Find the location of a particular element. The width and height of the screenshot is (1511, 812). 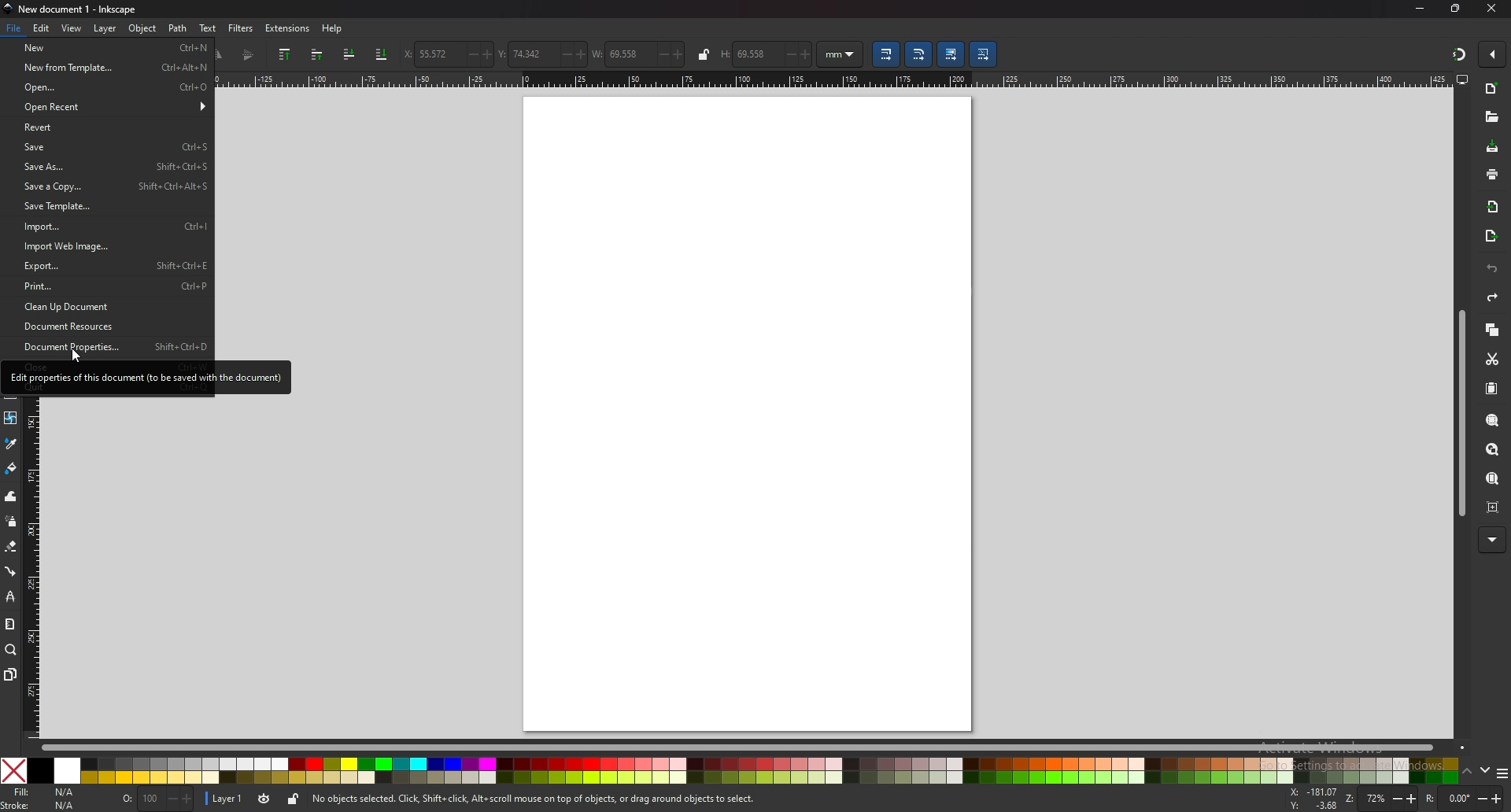

H is located at coordinates (724, 56).